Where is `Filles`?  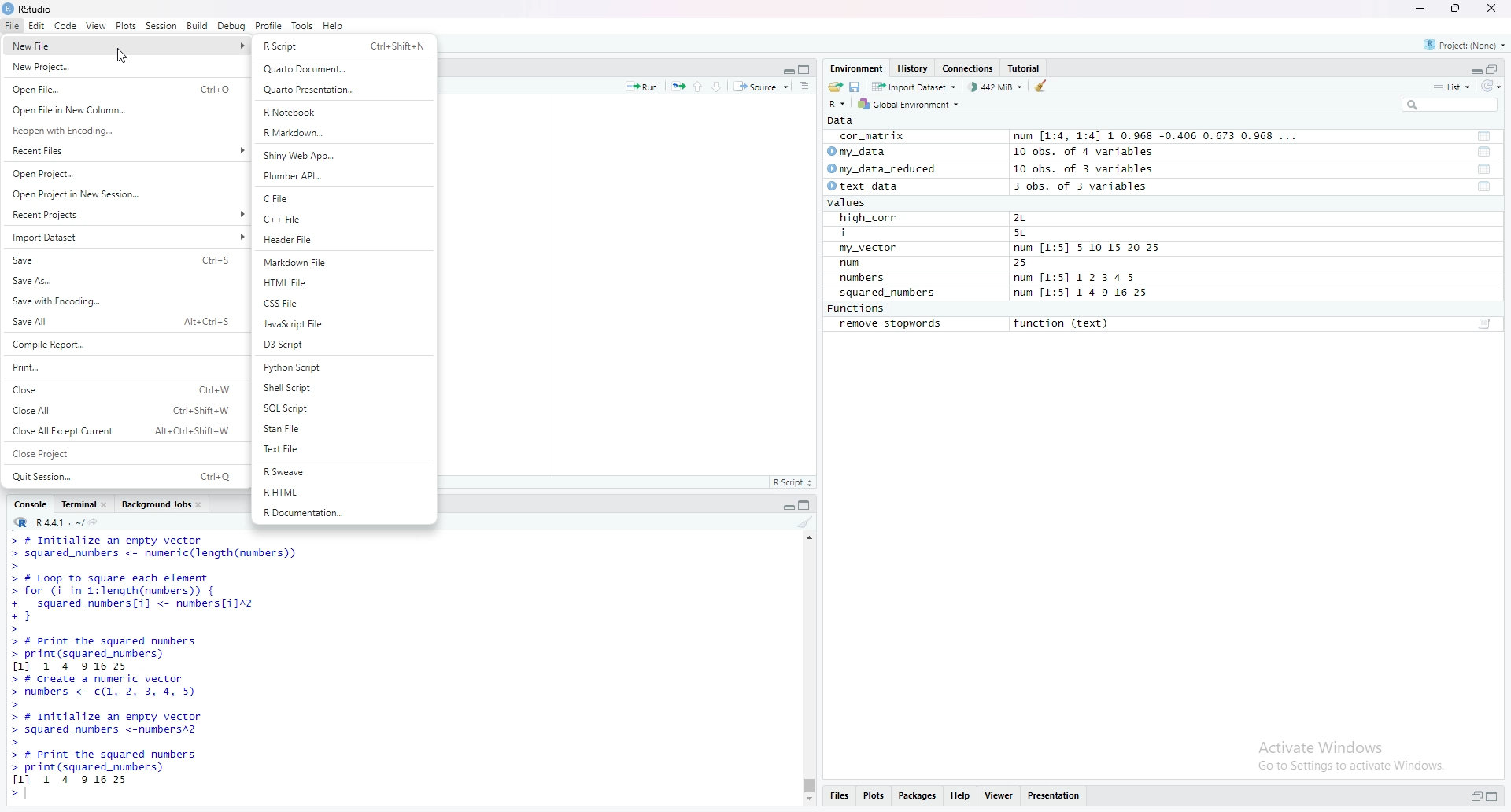 Filles is located at coordinates (838, 797).